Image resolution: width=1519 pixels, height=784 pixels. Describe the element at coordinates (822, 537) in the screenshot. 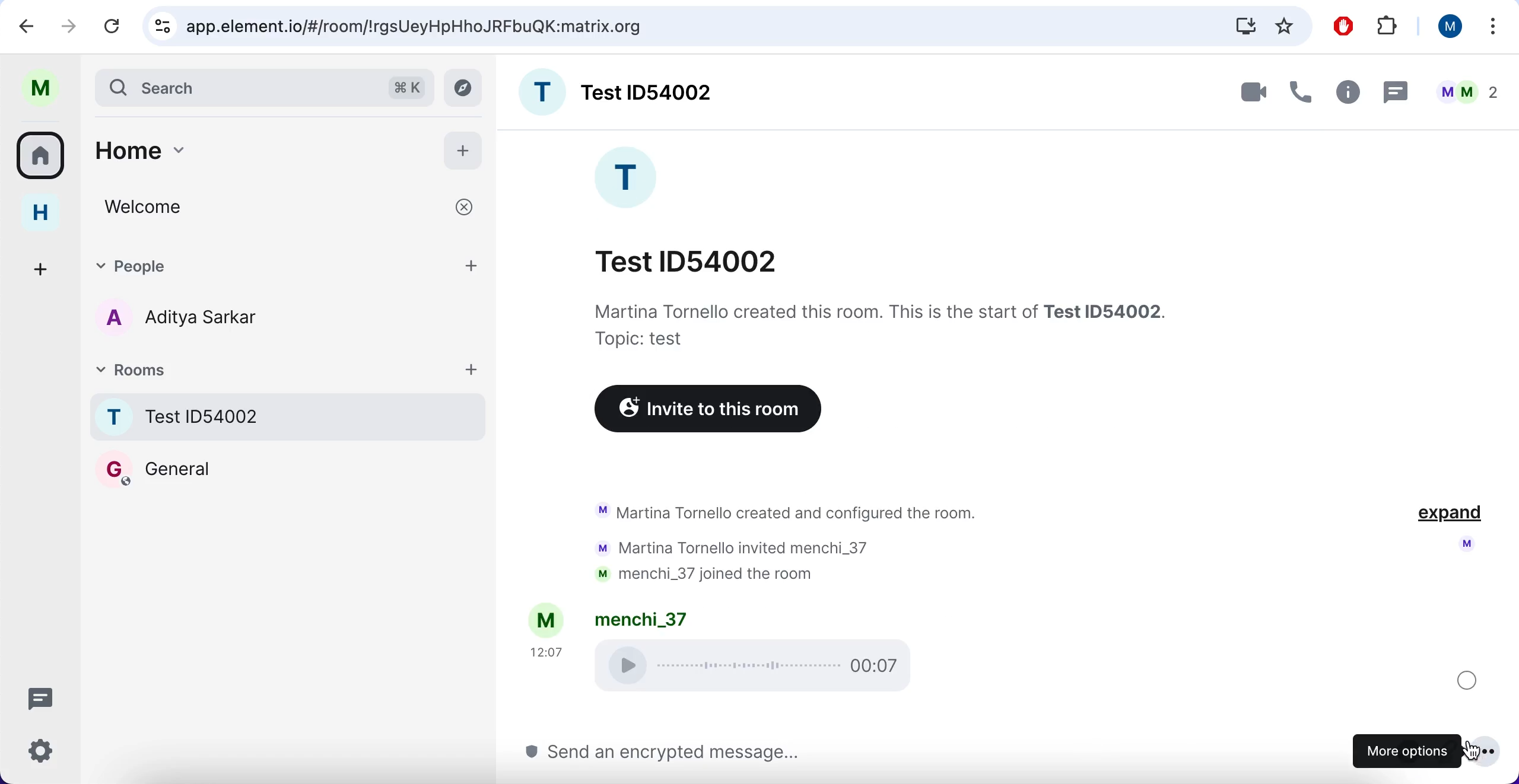

I see `activity chat` at that location.